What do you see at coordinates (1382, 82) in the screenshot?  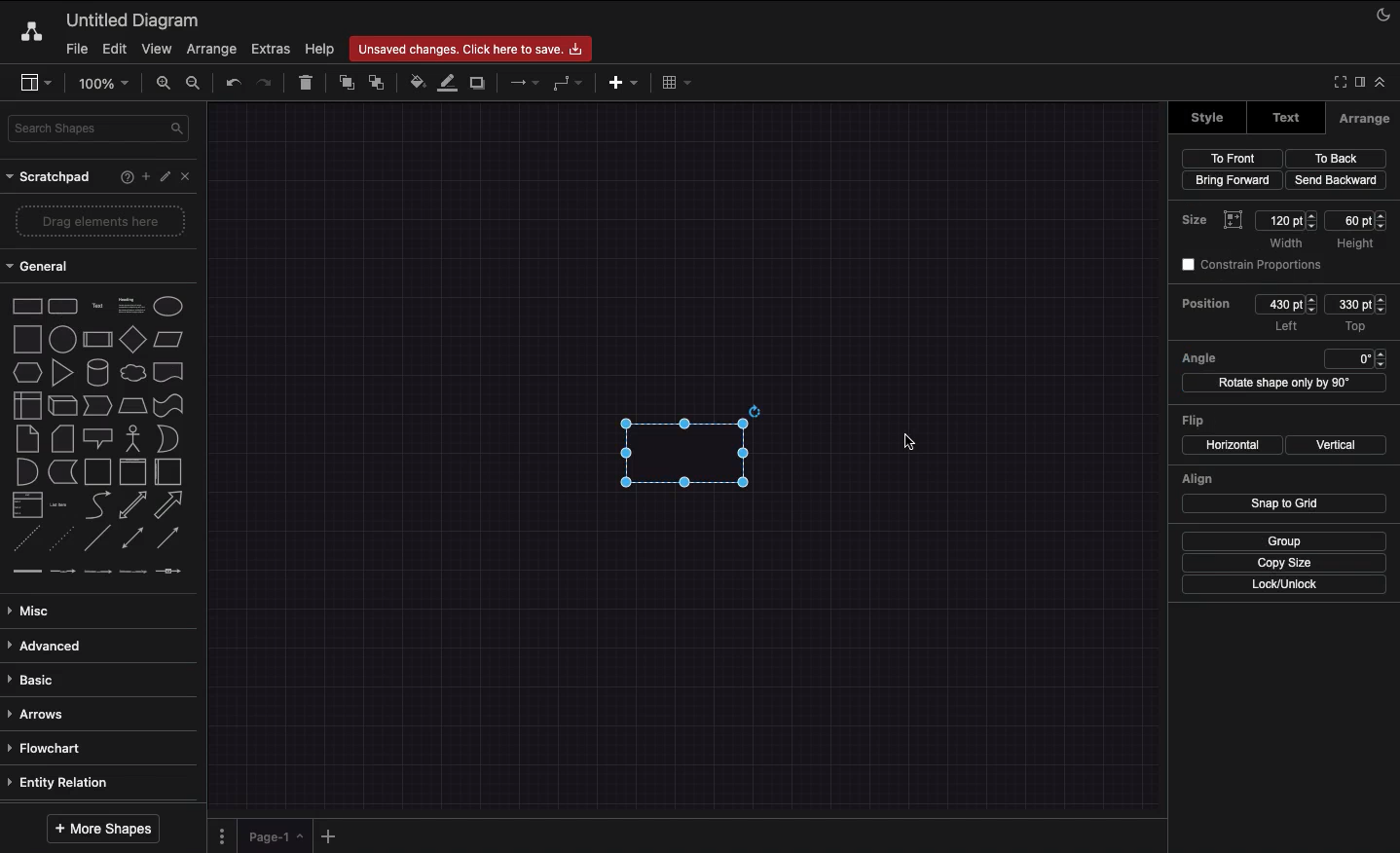 I see `Collapse` at bounding box center [1382, 82].